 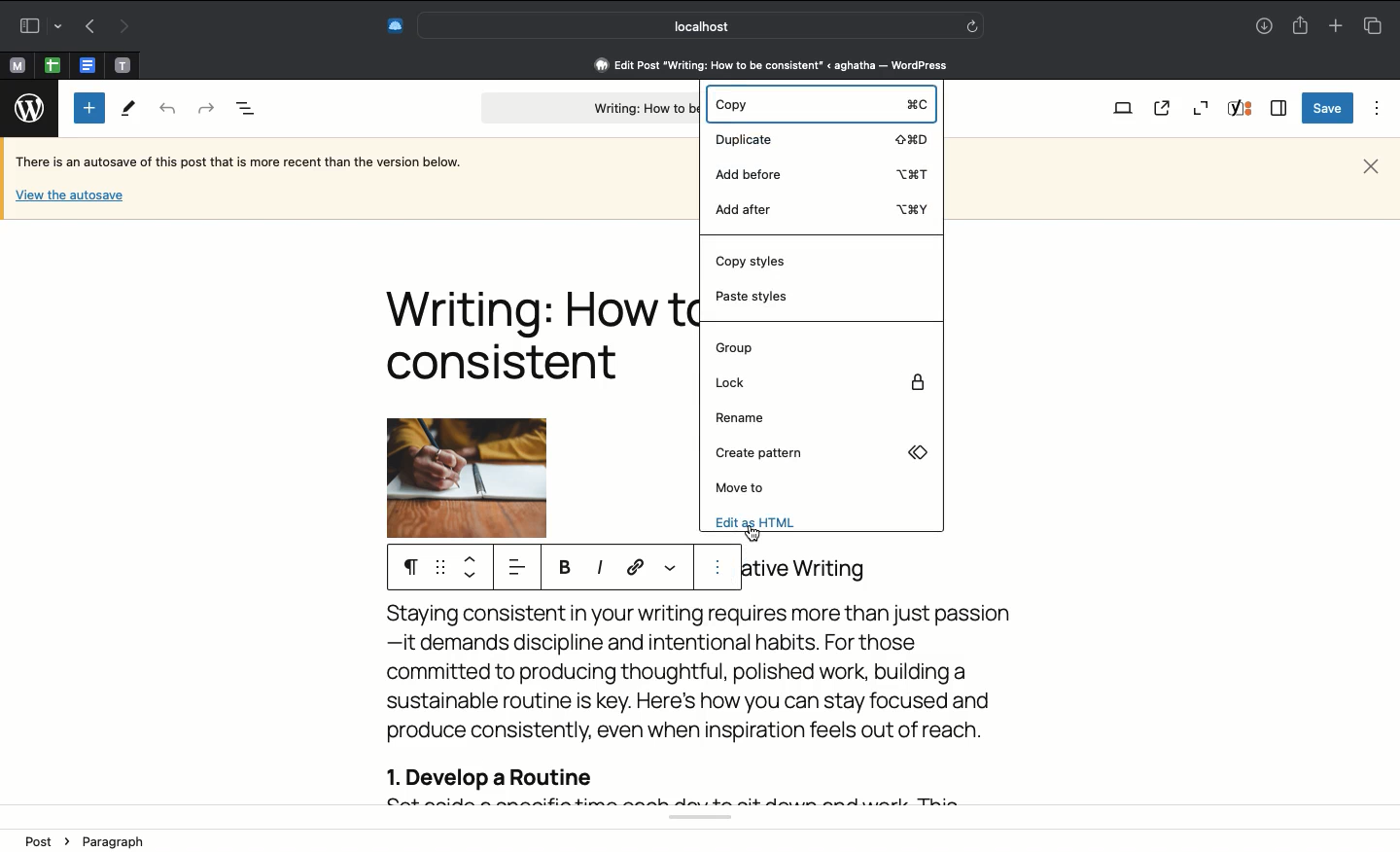 I want to click on Post, so click(x=44, y=840).